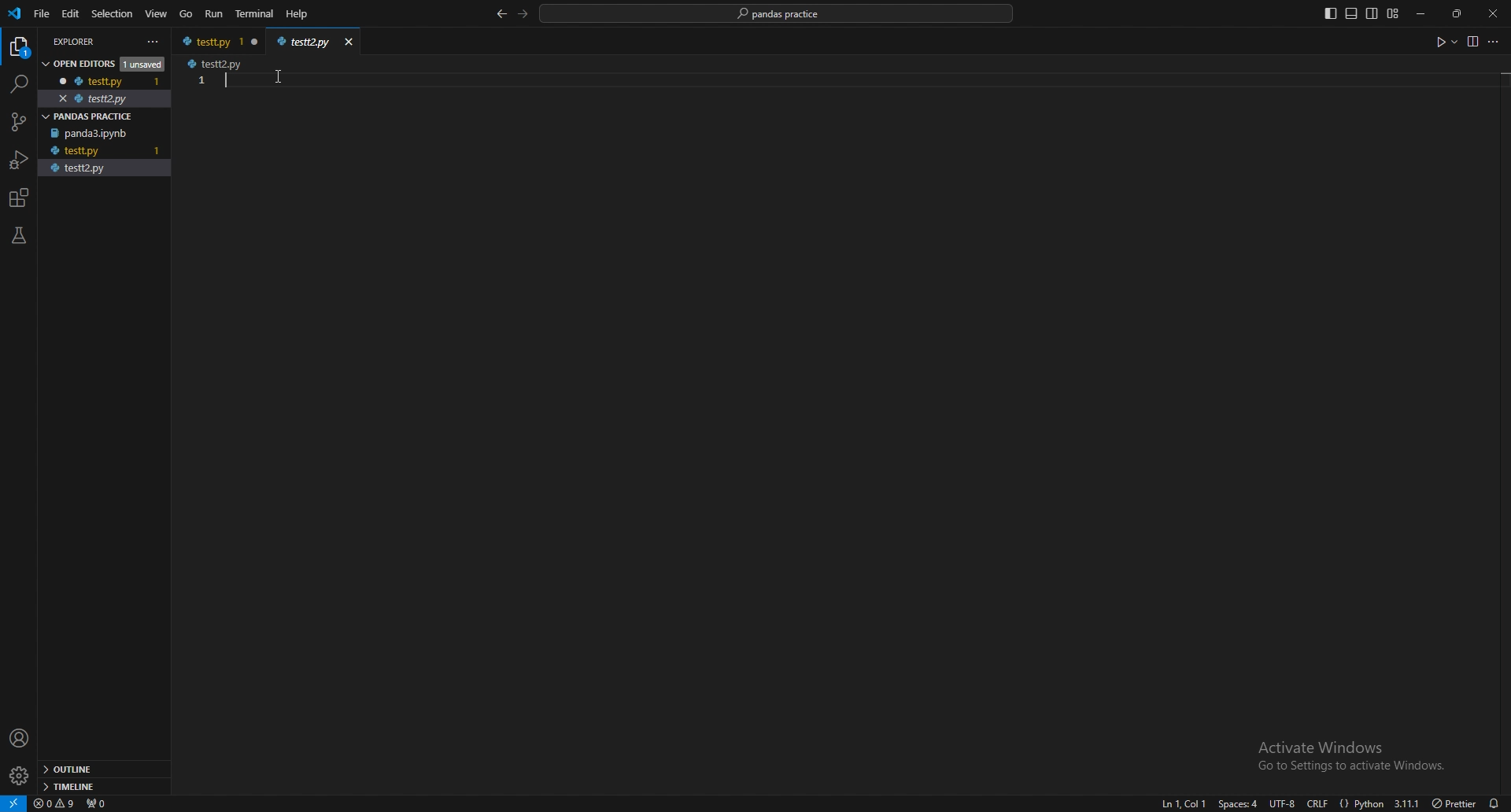  Describe the element at coordinates (95, 802) in the screenshot. I see `ports forwarded` at that location.